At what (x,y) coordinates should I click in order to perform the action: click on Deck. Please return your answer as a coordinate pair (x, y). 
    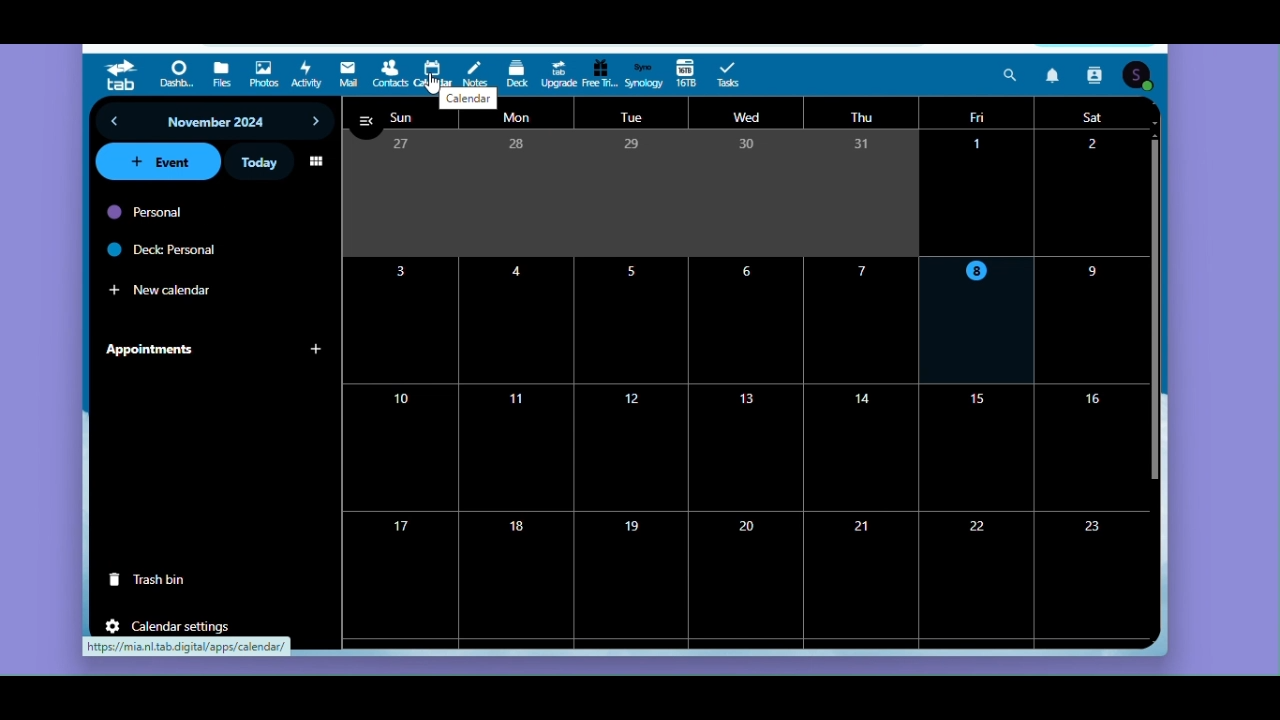
    Looking at the image, I should click on (518, 75).